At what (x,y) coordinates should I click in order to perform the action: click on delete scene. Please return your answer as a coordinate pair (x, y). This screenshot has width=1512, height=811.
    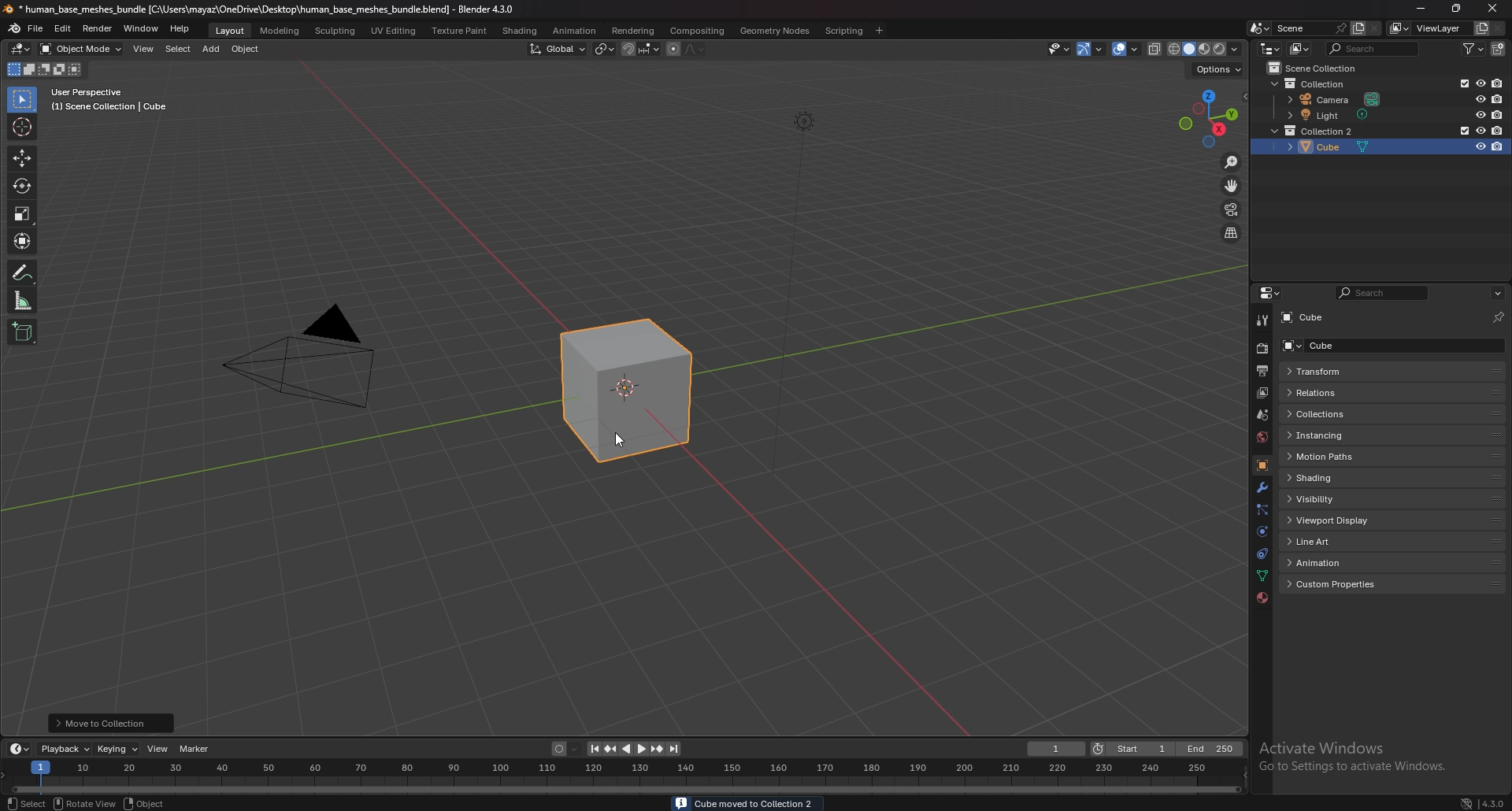
    Looking at the image, I should click on (1375, 28).